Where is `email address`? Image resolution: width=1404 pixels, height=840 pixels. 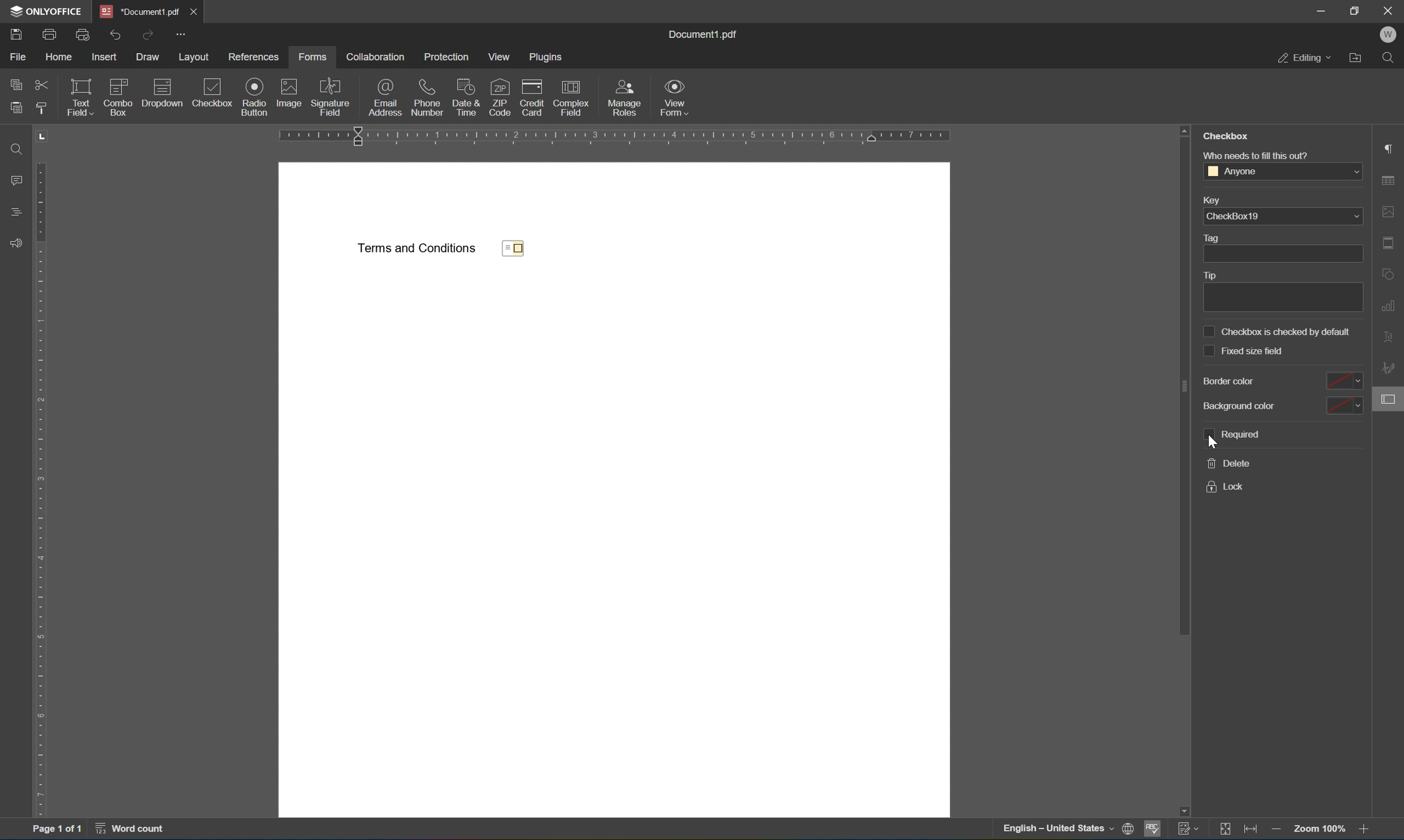
email address is located at coordinates (386, 96).